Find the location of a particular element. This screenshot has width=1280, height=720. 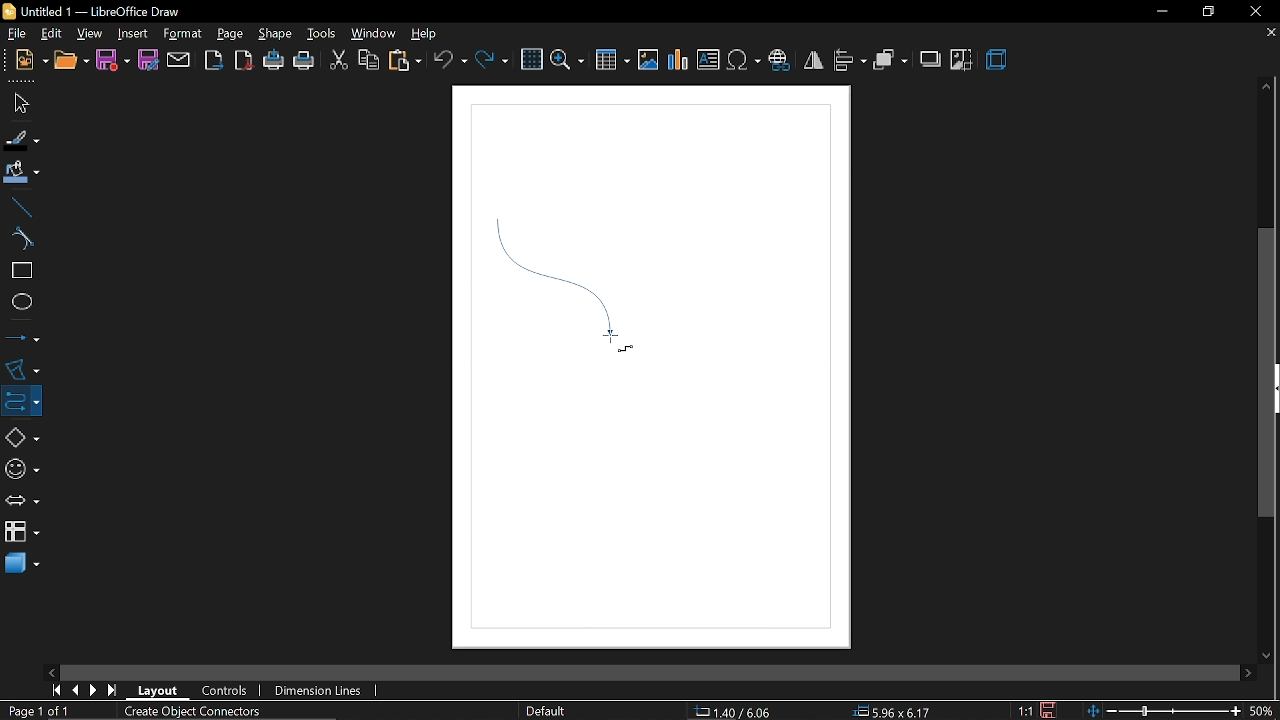

go to first page is located at coordinates (54, 691).